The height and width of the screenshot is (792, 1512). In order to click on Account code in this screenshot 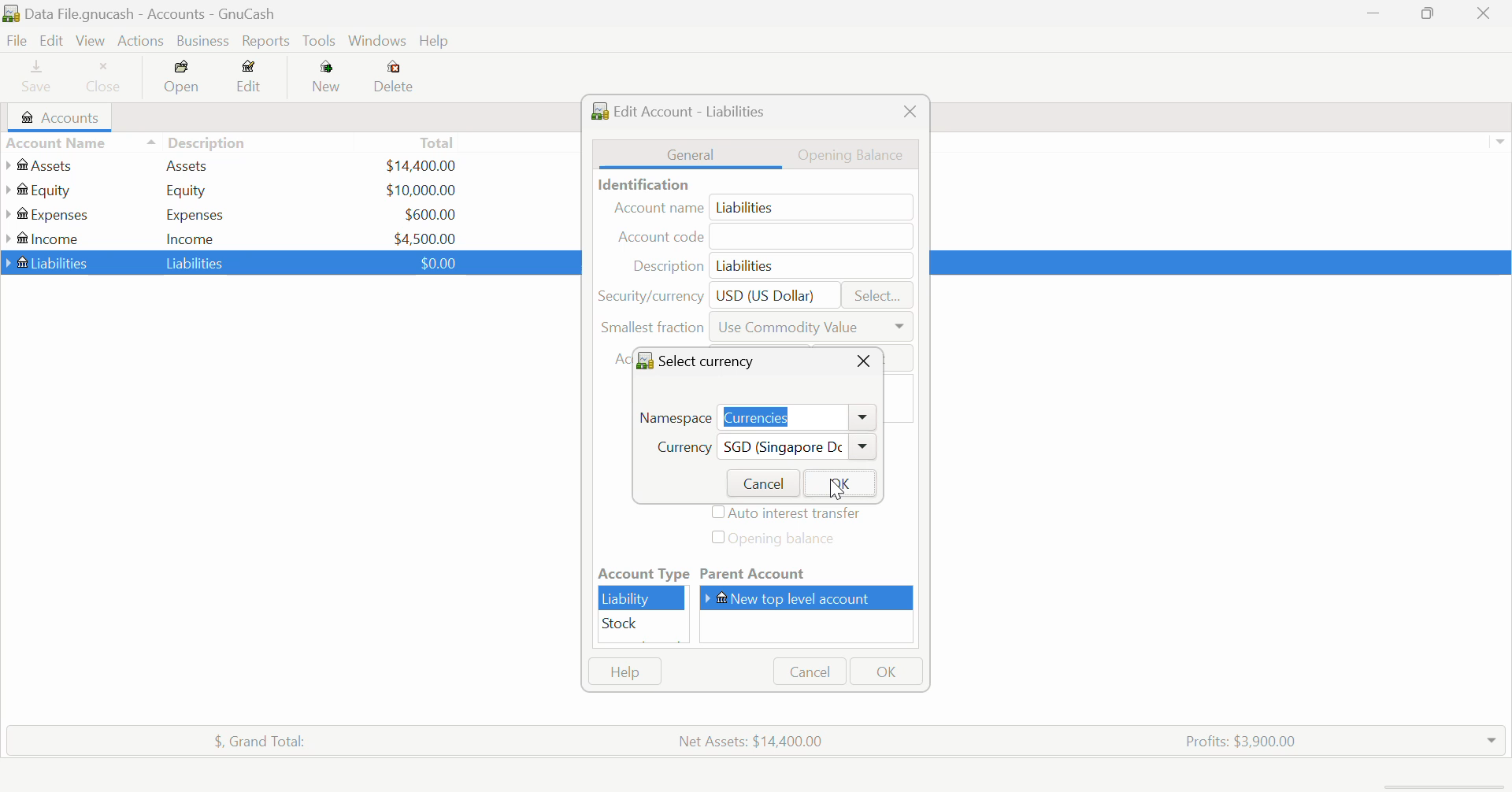, I will do `click(767, 238)`.